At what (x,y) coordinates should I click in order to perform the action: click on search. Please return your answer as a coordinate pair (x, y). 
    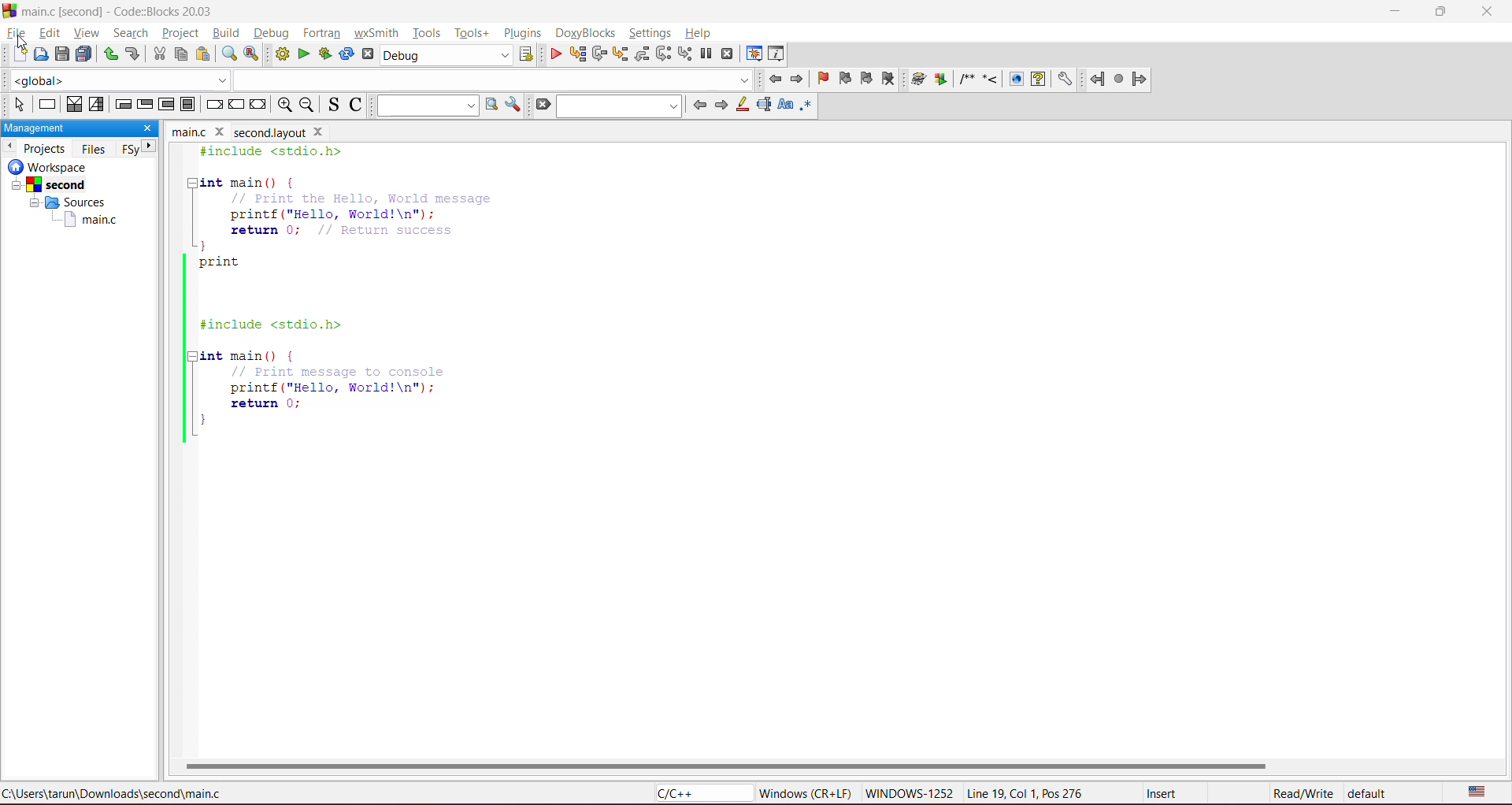
    Looking at the image, I should click on (617, 107).